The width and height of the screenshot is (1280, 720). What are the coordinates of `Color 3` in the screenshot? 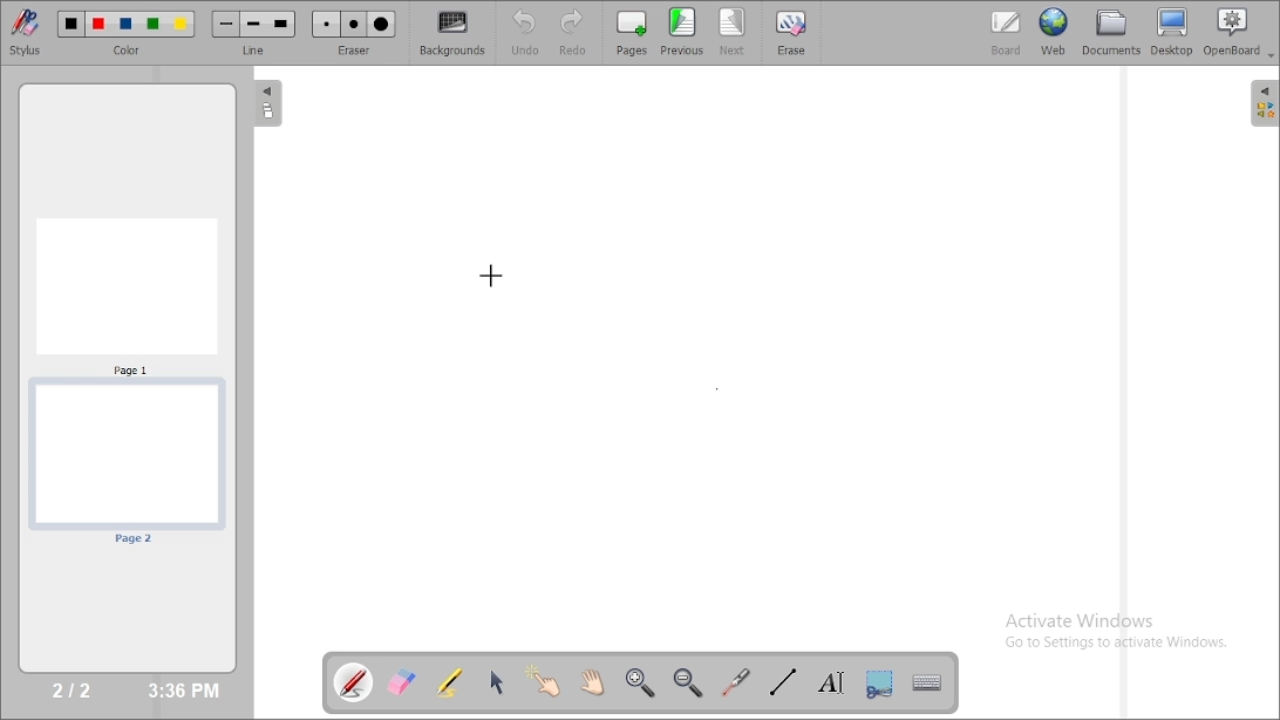 It's located at (126, 25).